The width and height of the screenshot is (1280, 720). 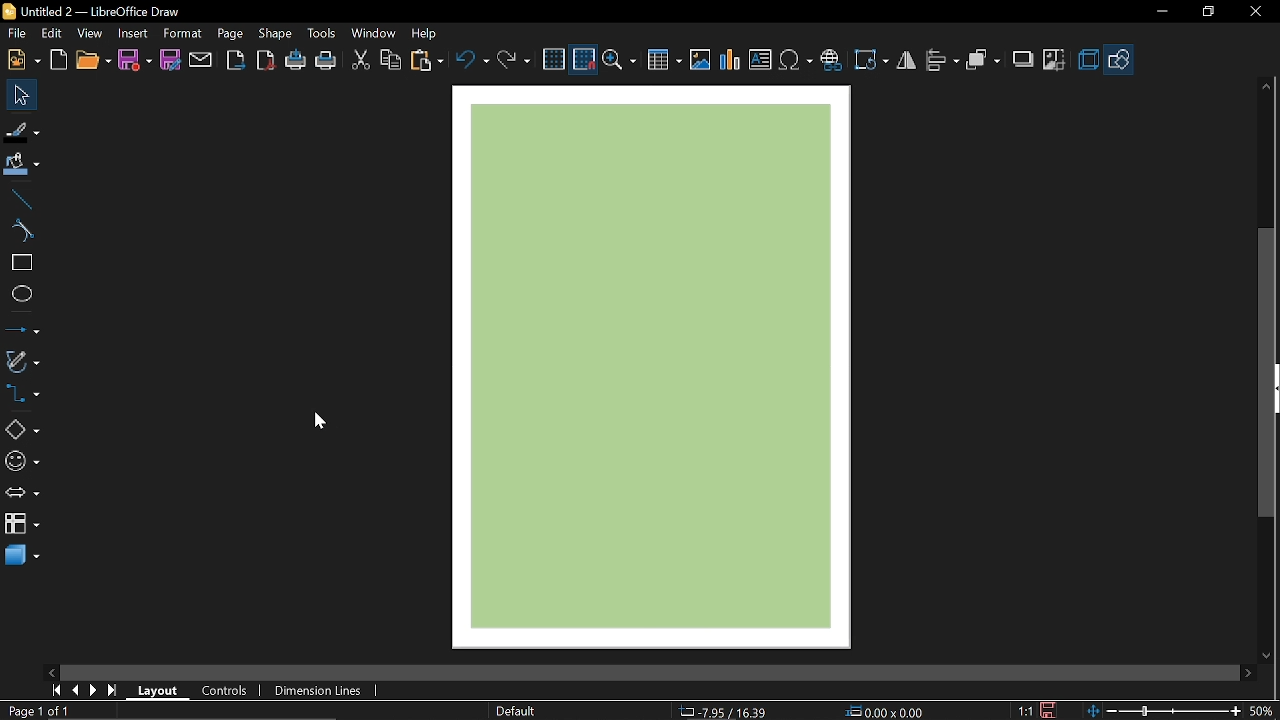 What do you see at coordinates (273, 35) in the screenshot?
I see `Shape` at bounding box center [273, 35].